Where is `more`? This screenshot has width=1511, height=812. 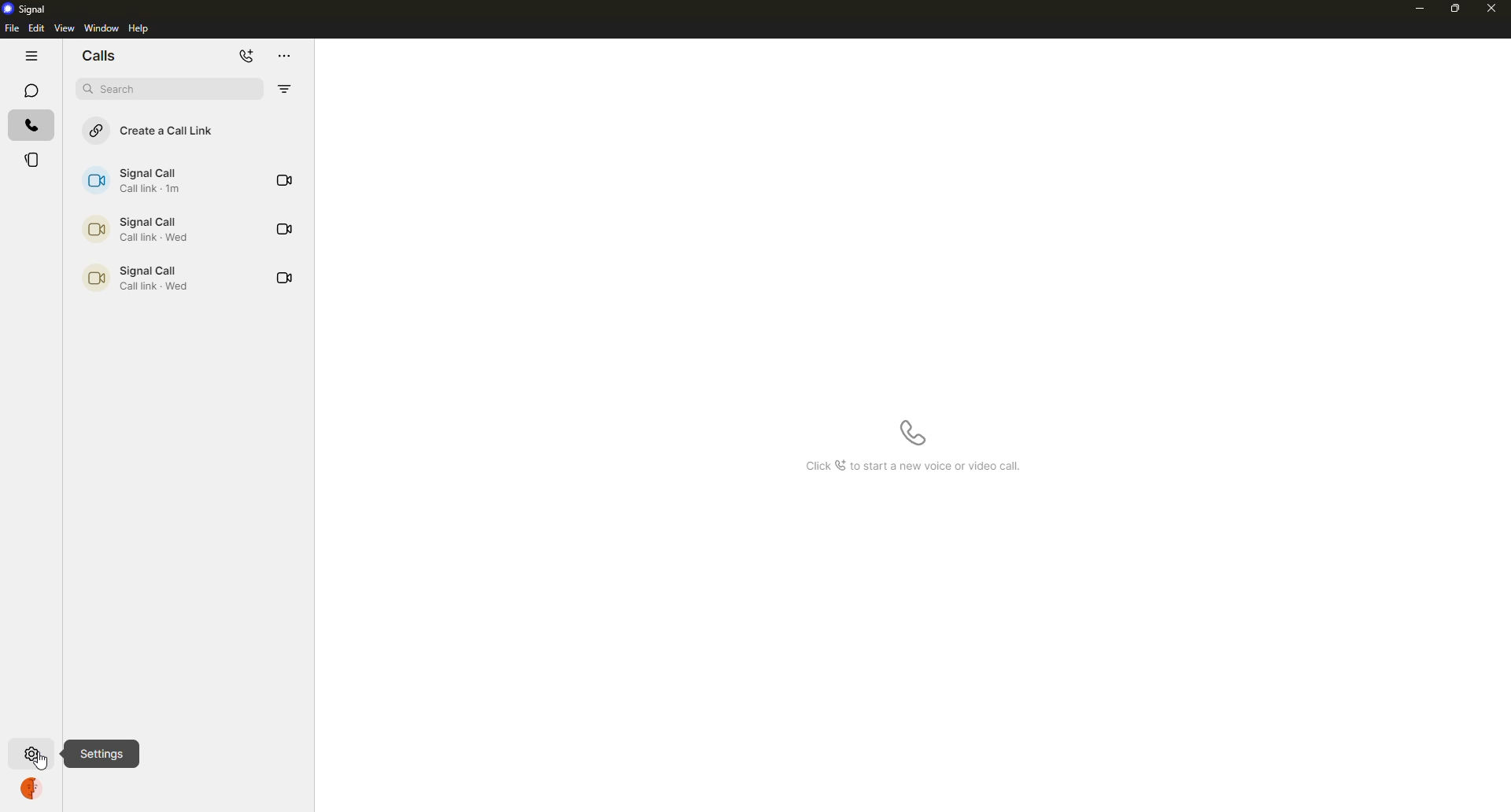 more is located at coordinates (282, 55).